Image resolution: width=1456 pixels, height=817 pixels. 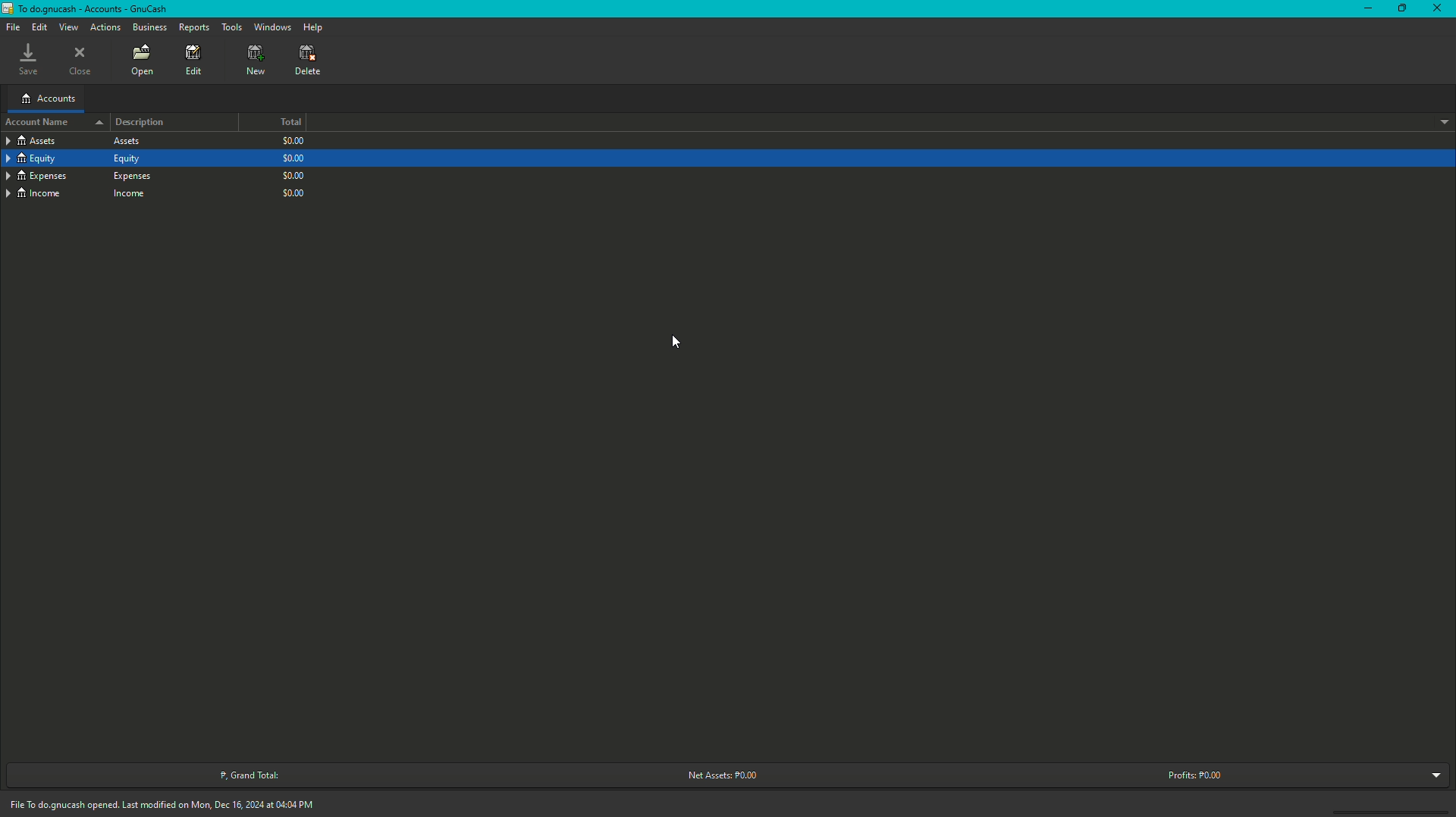 What do you see at coordinates (719, 775) in the screenshot?
I see `Net Assets` at bounding box center [719, 775].